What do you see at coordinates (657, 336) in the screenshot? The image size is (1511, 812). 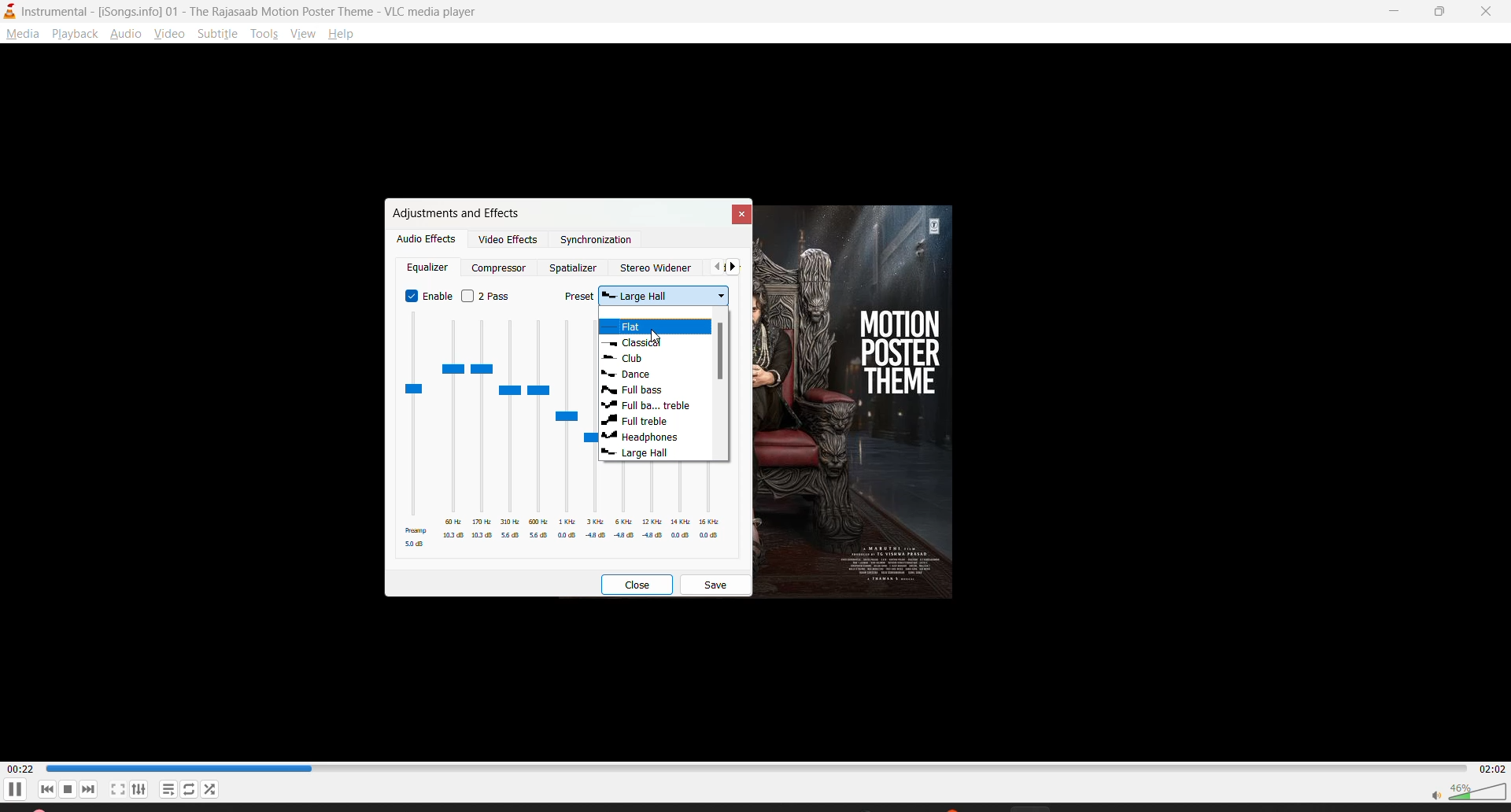 I see `Cursor` at bounding box center [657, 336].